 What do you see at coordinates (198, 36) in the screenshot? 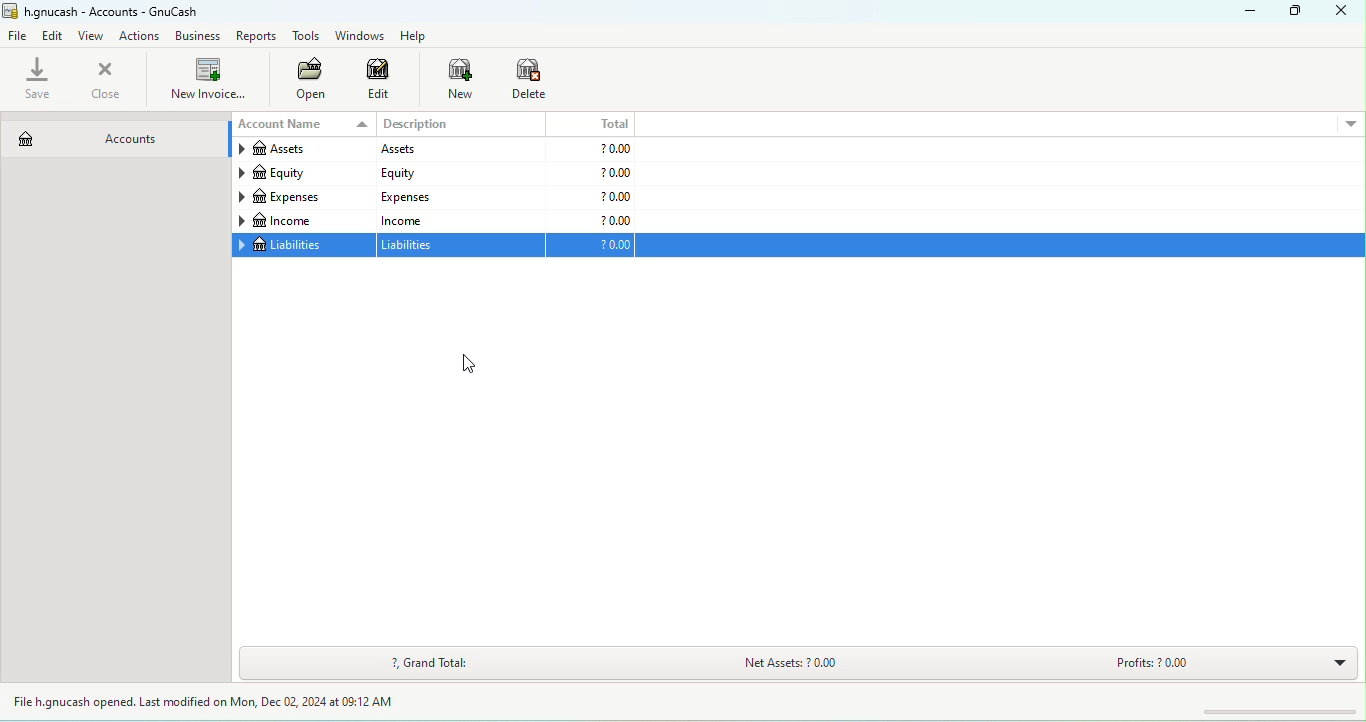
I see `bussiness` at bounding box center [198, 36].